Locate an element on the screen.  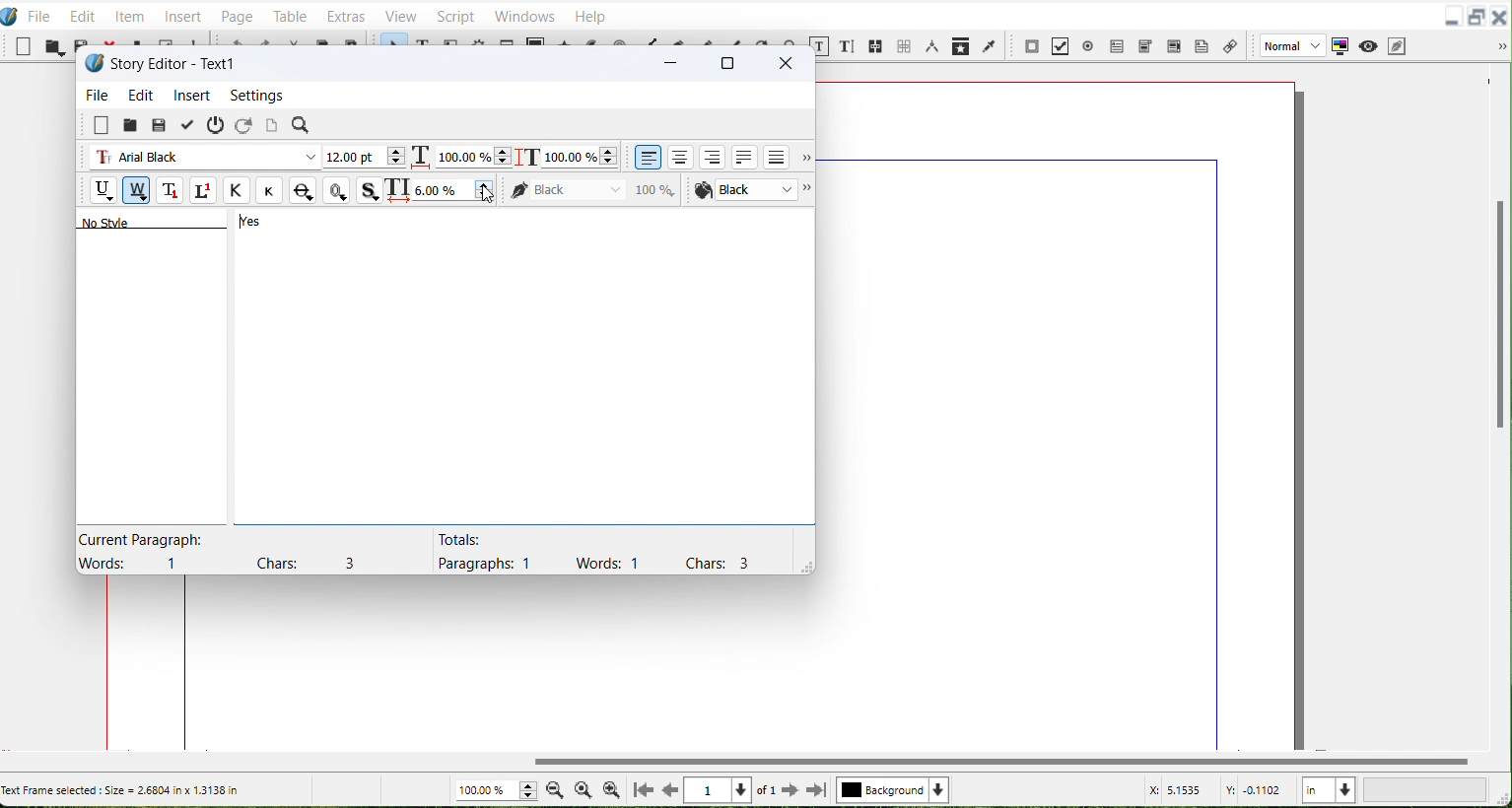
Script is located at coordinates (456, 15).